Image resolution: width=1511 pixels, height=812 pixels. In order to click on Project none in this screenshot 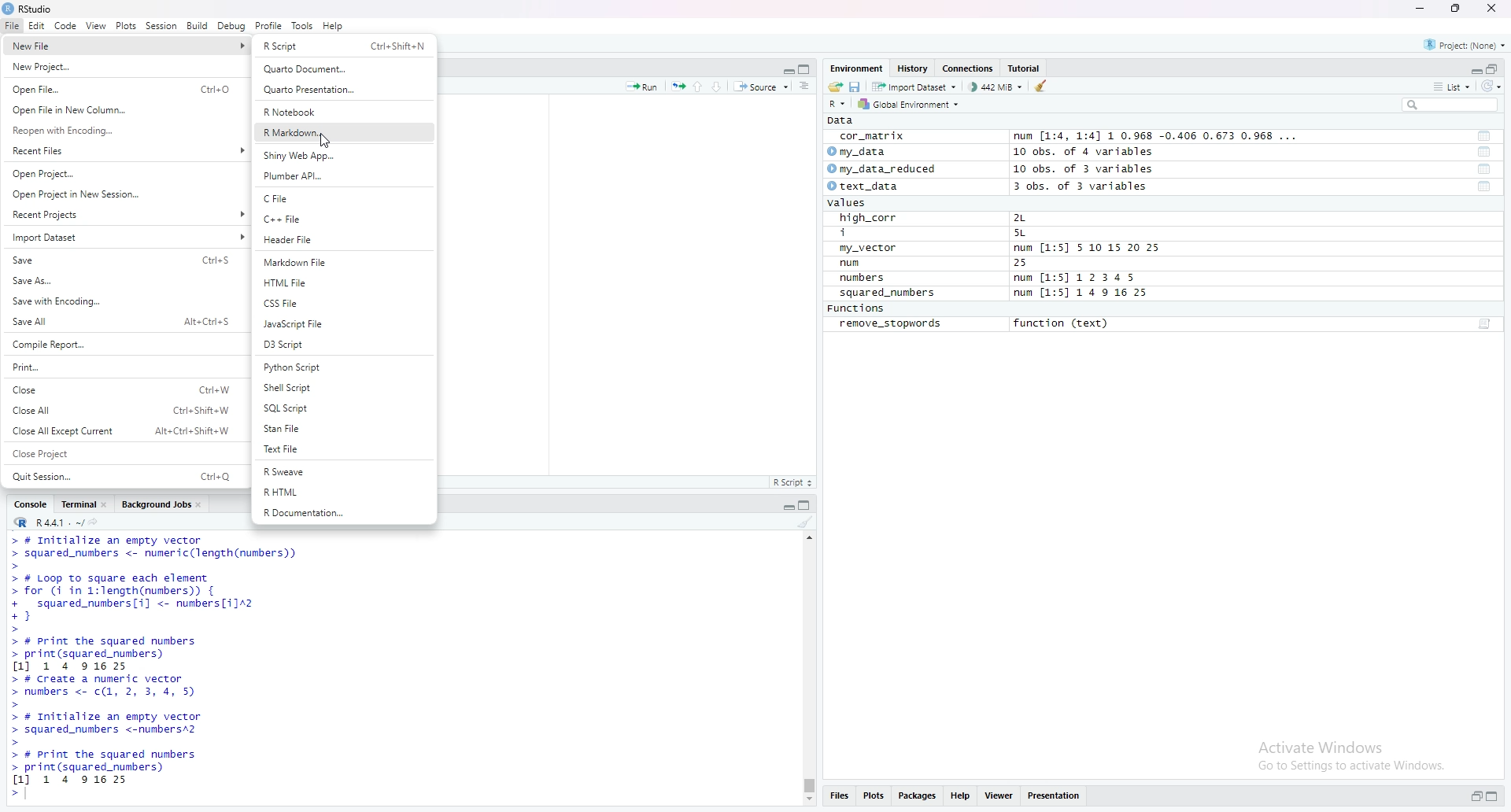, I will do `click(1465, 43)`.